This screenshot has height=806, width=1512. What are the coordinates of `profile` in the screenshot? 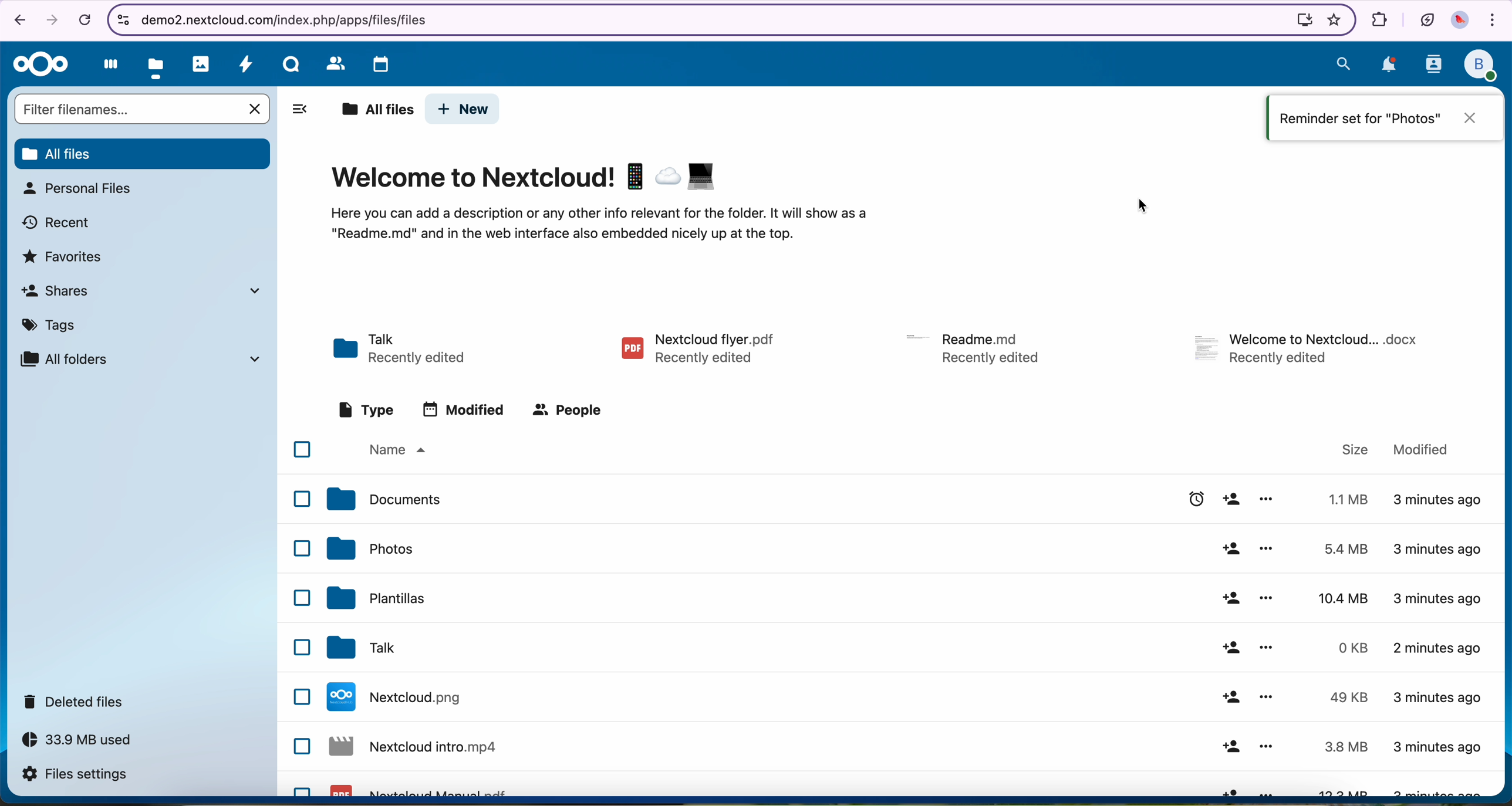 It's located at (1481, 66).